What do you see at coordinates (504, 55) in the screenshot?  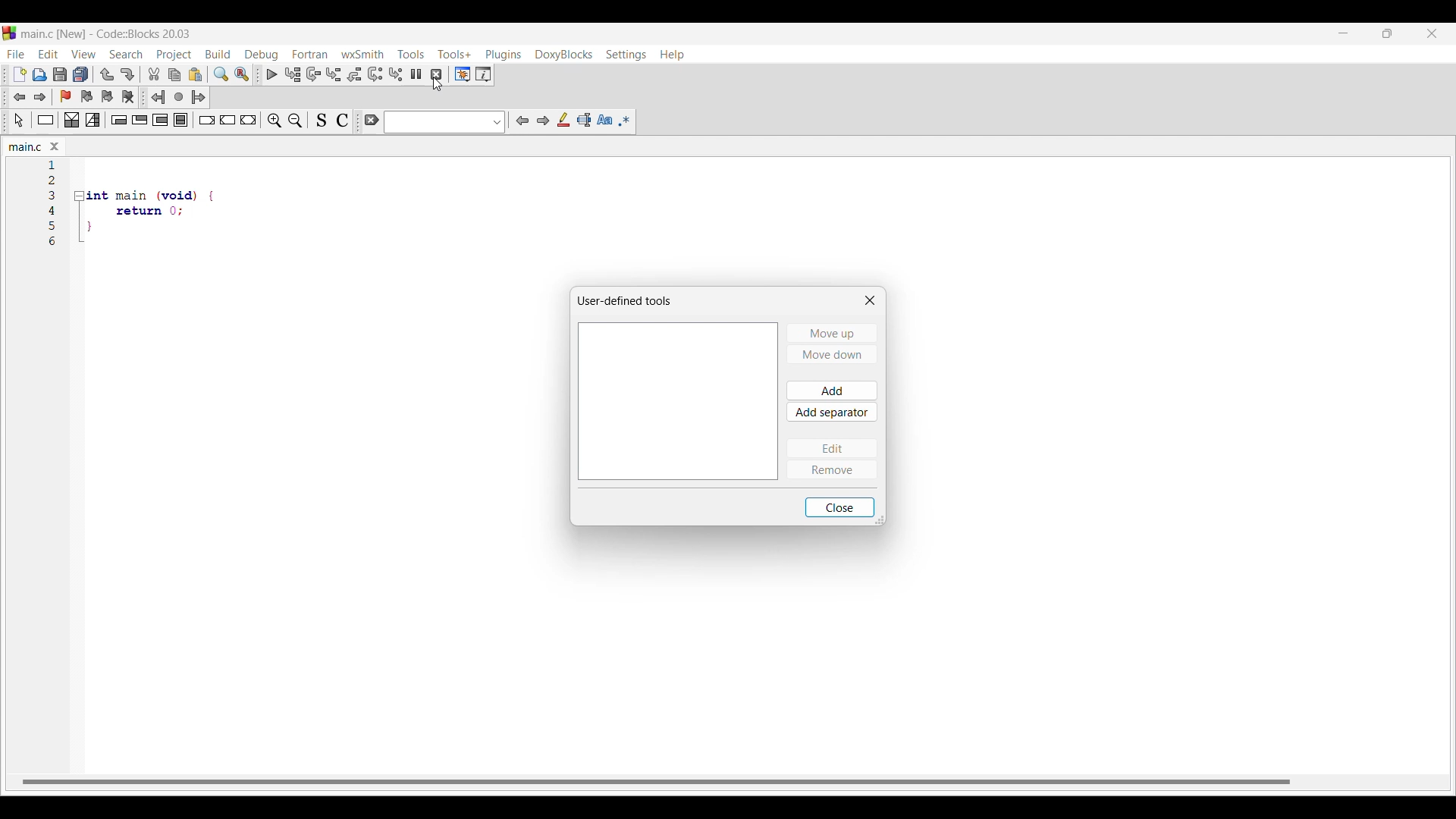 I see `Plugins menu` at bounding box center [504, 55].